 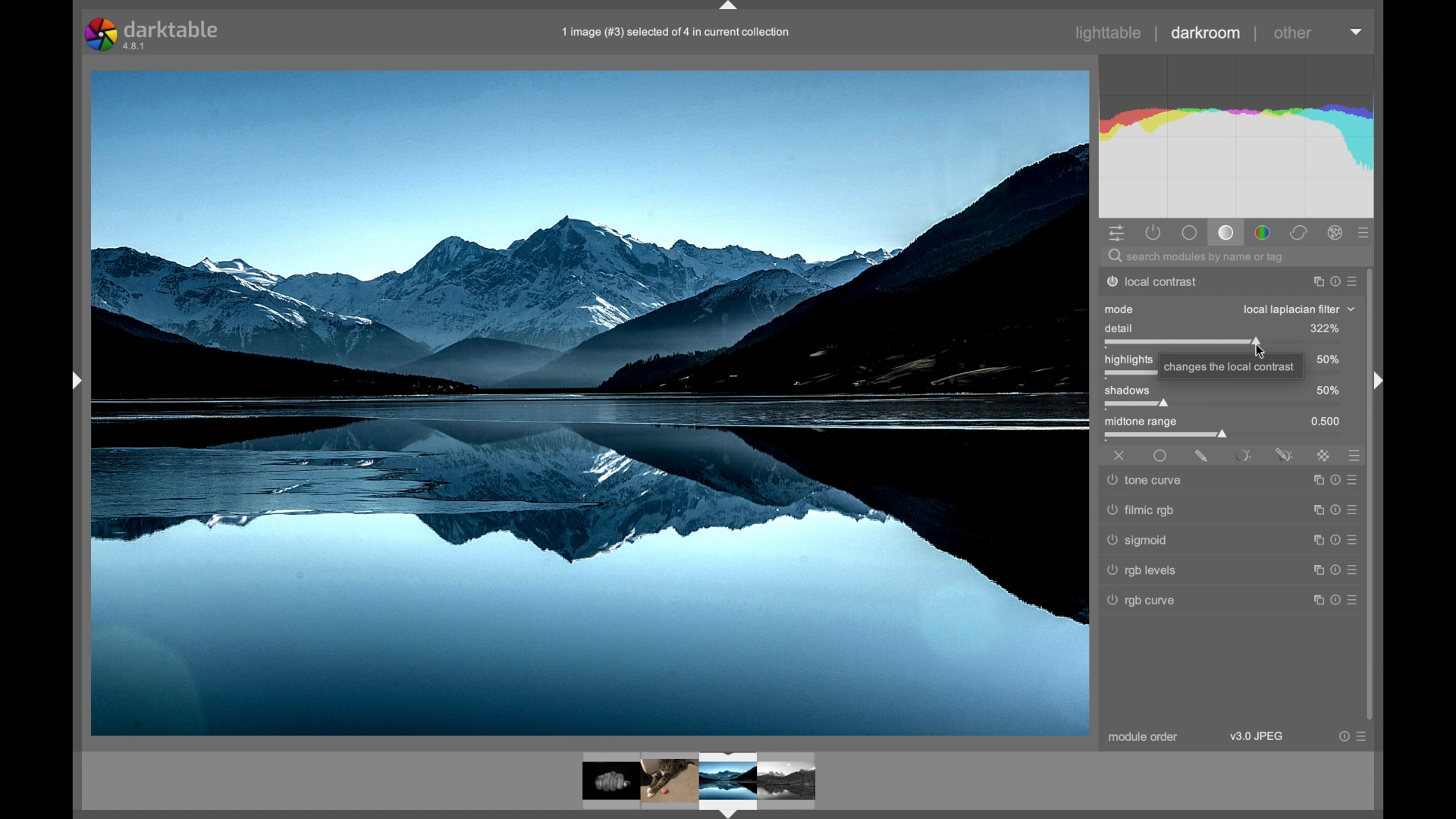 I want to click on filmic rgb, so click(x=1144, y=507).